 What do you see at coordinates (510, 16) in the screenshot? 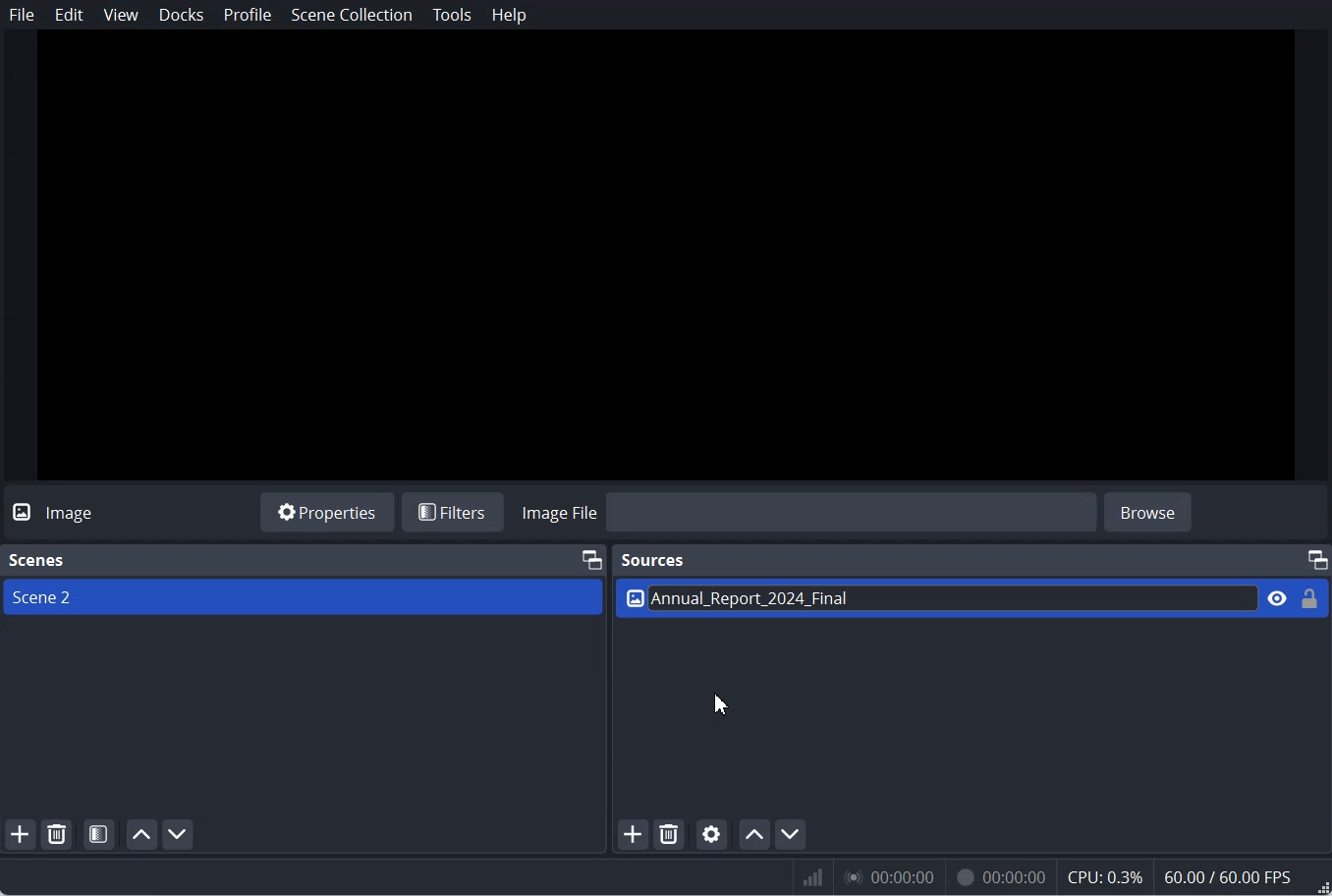
I see `Help` at bounding box center [510, 16].